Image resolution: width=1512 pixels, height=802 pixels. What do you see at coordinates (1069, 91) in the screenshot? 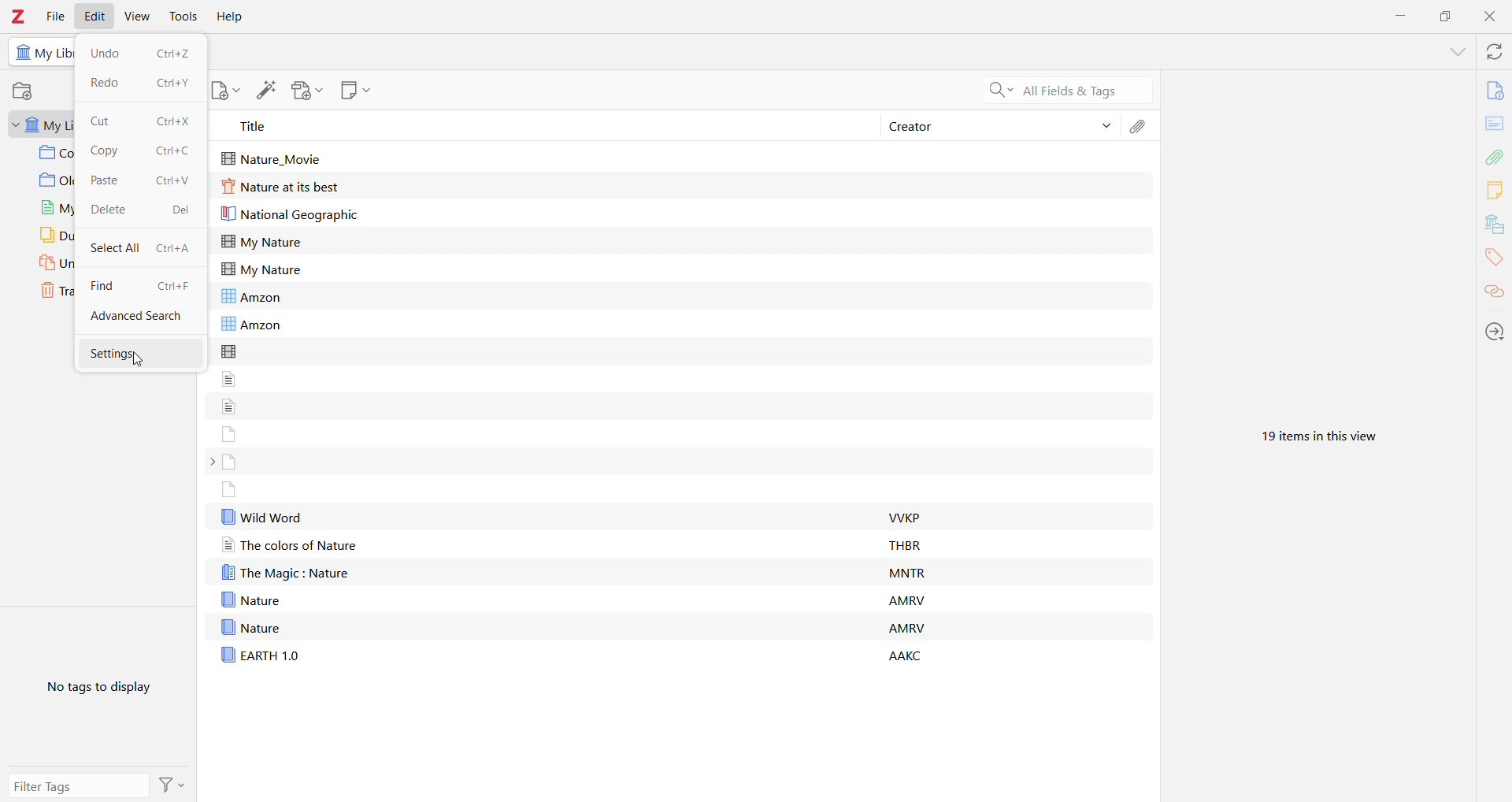
I see `Search` at bounding box center [1069, 91].